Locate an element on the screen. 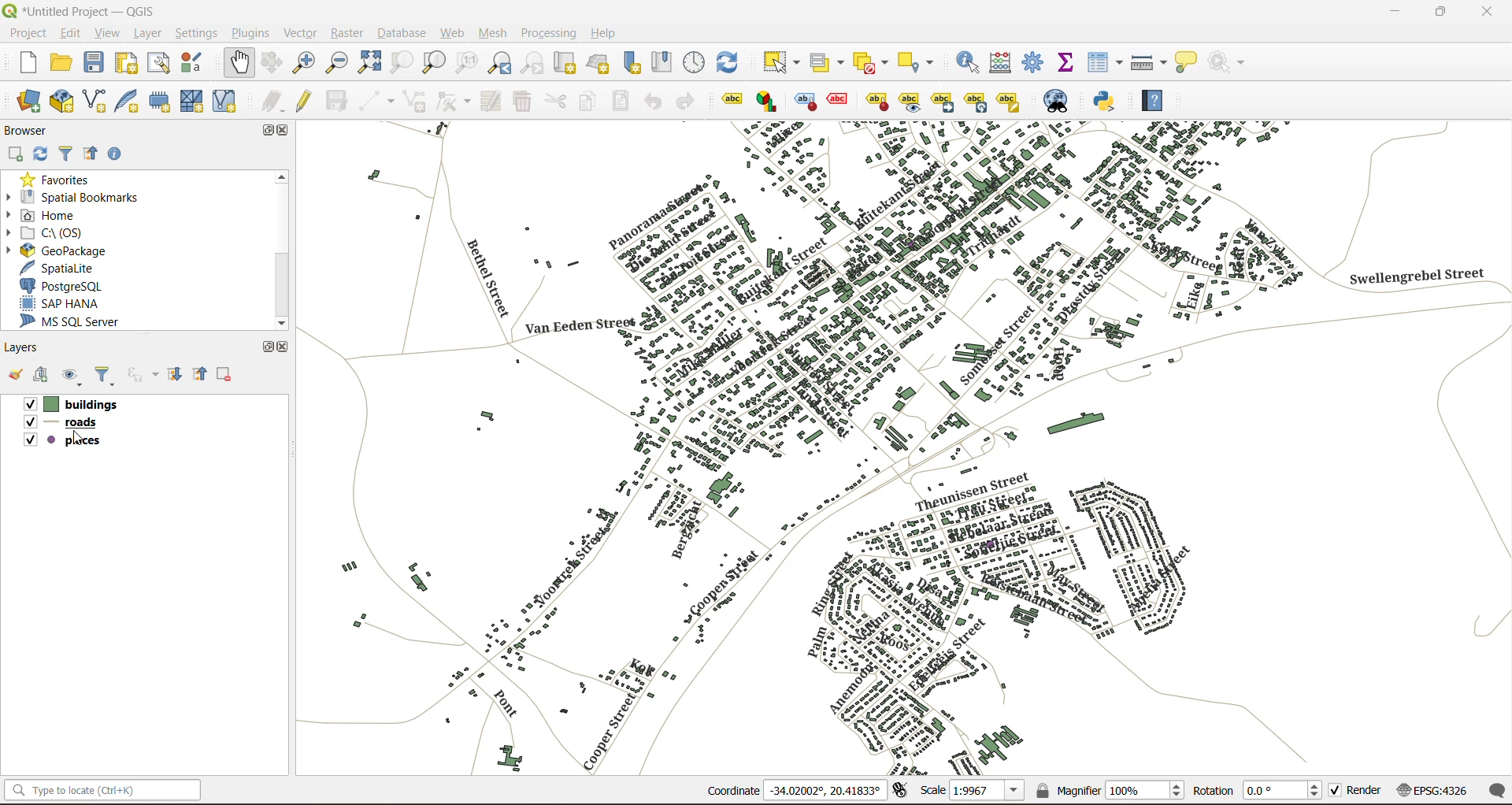 The width and height of the screenshot is (1512, 805). layer is located at coordinates (146, 35).